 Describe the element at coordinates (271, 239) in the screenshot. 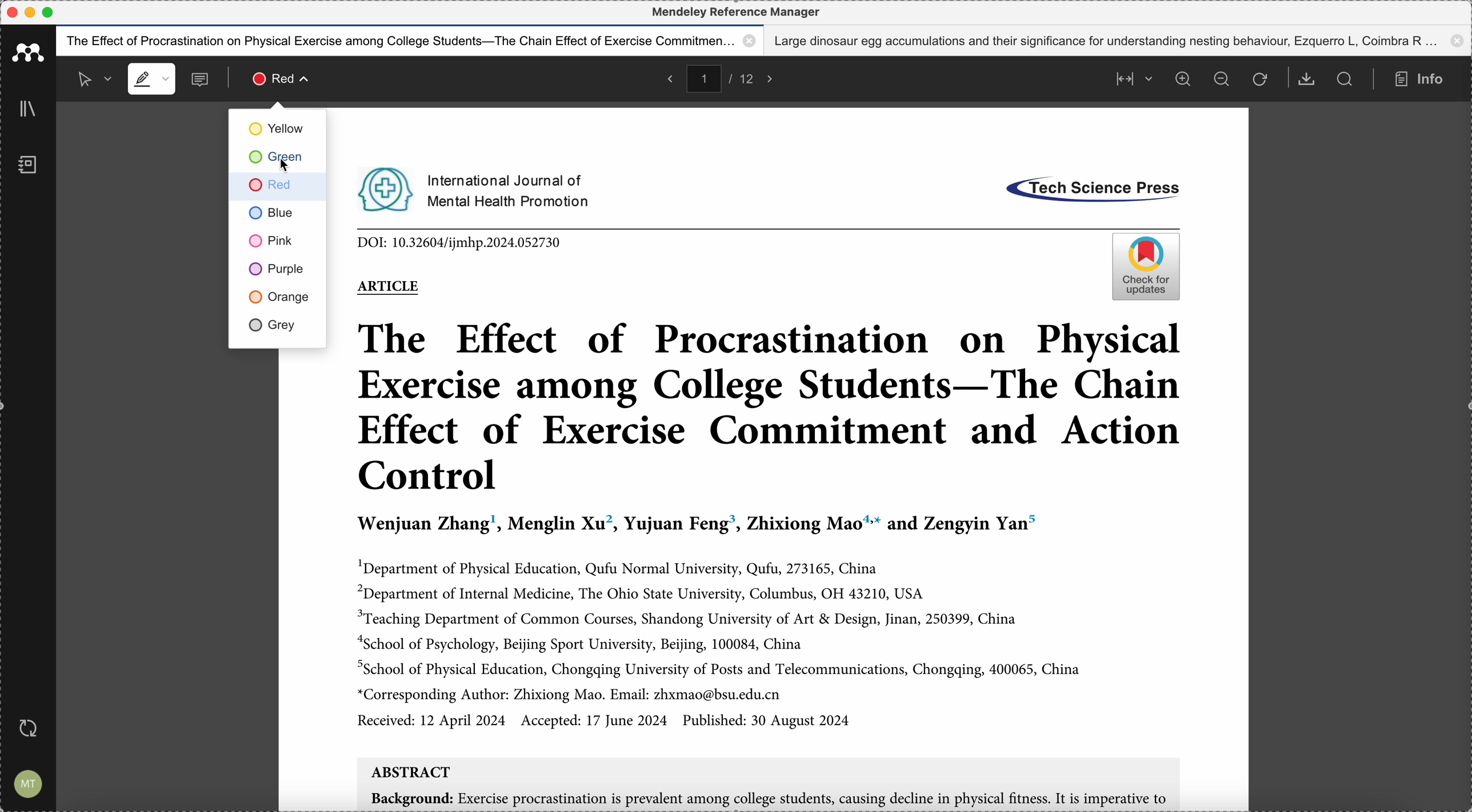

I see `pink` at that location.